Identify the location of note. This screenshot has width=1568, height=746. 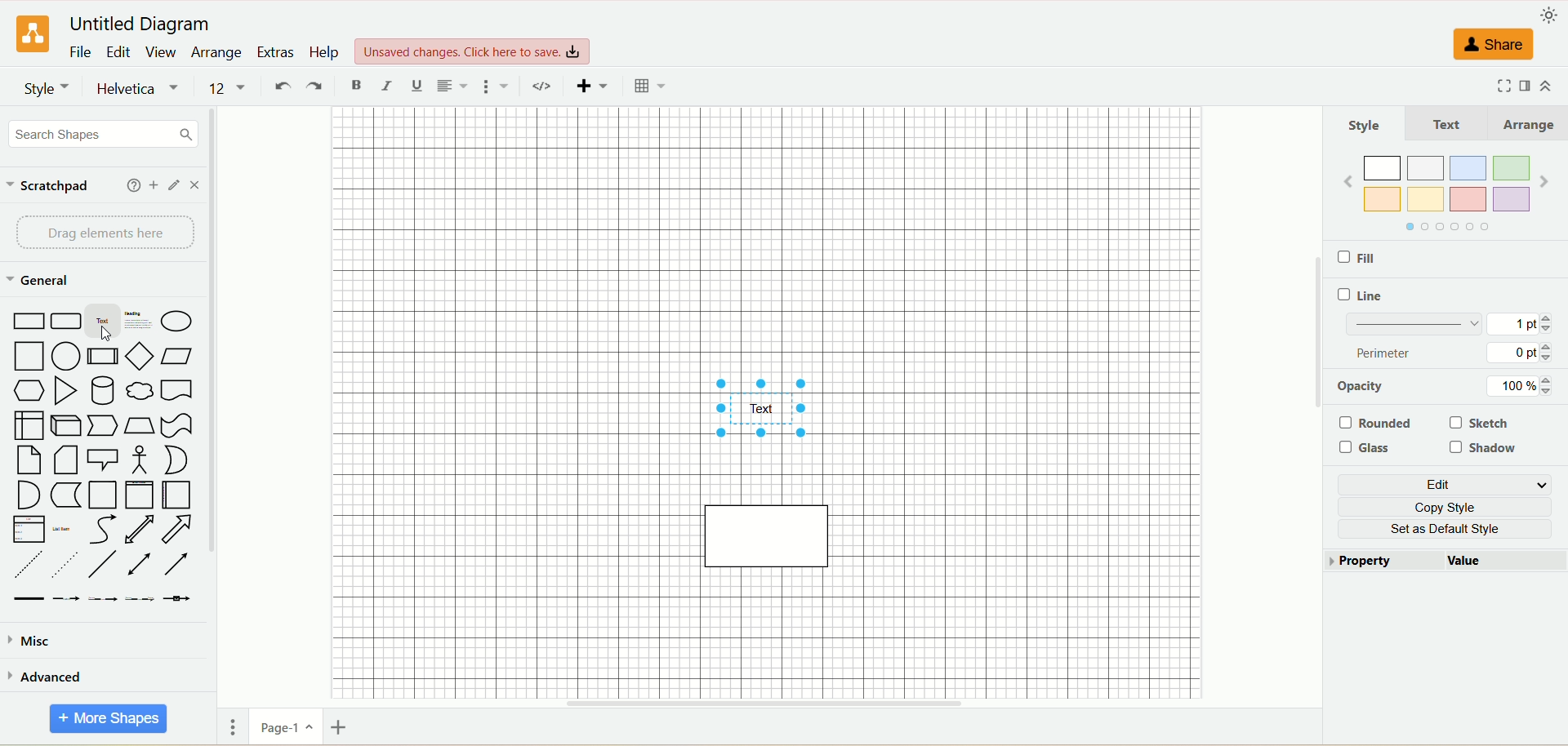
(28, 460).